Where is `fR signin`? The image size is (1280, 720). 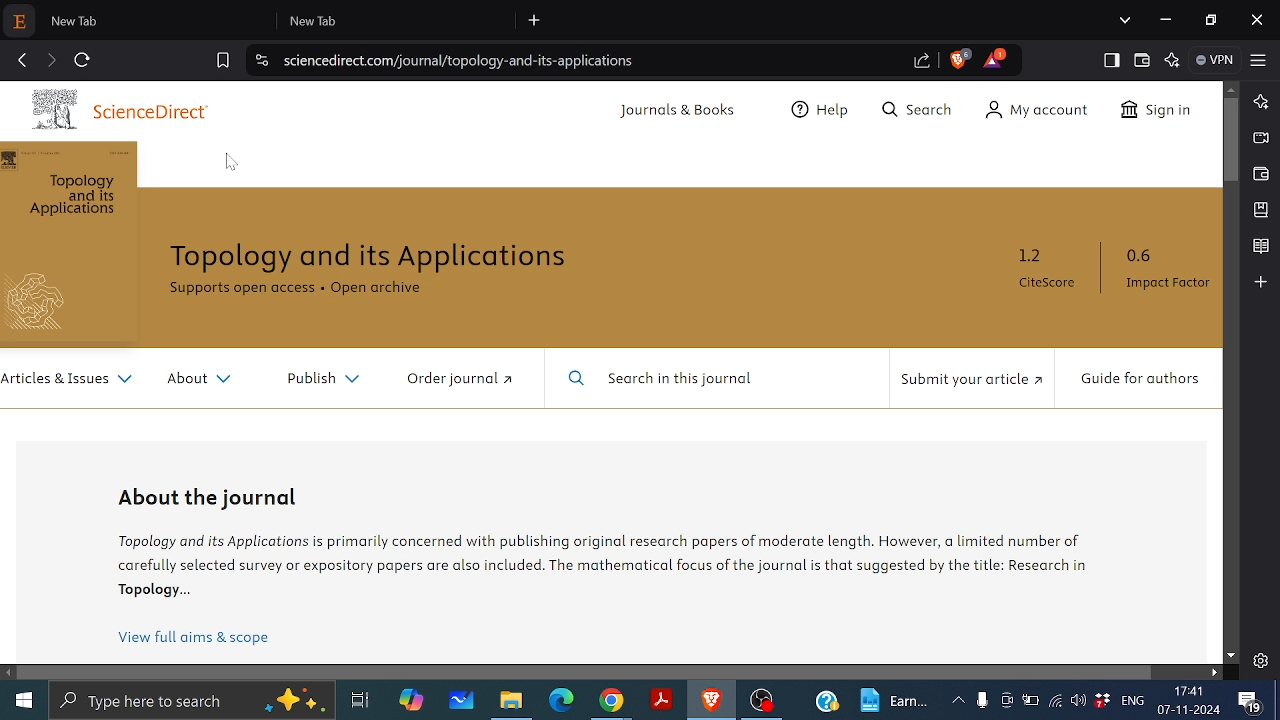 fR signin is located at coordinates (1154, 112).